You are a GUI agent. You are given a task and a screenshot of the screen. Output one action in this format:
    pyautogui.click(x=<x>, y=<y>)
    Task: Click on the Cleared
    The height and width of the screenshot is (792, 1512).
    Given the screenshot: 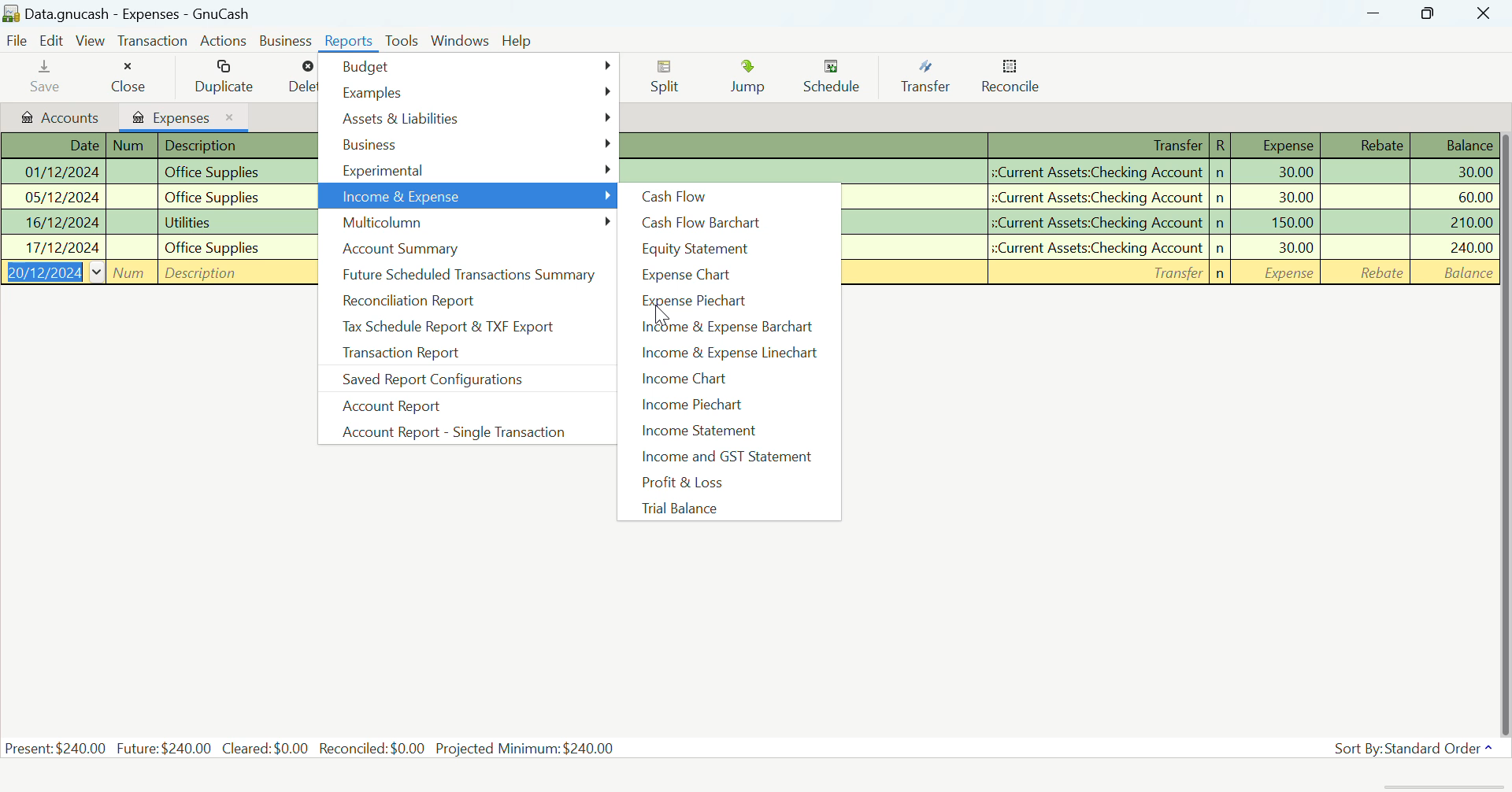 What is the action you would take?
    pyautogui.click(x=265, y=747)
    